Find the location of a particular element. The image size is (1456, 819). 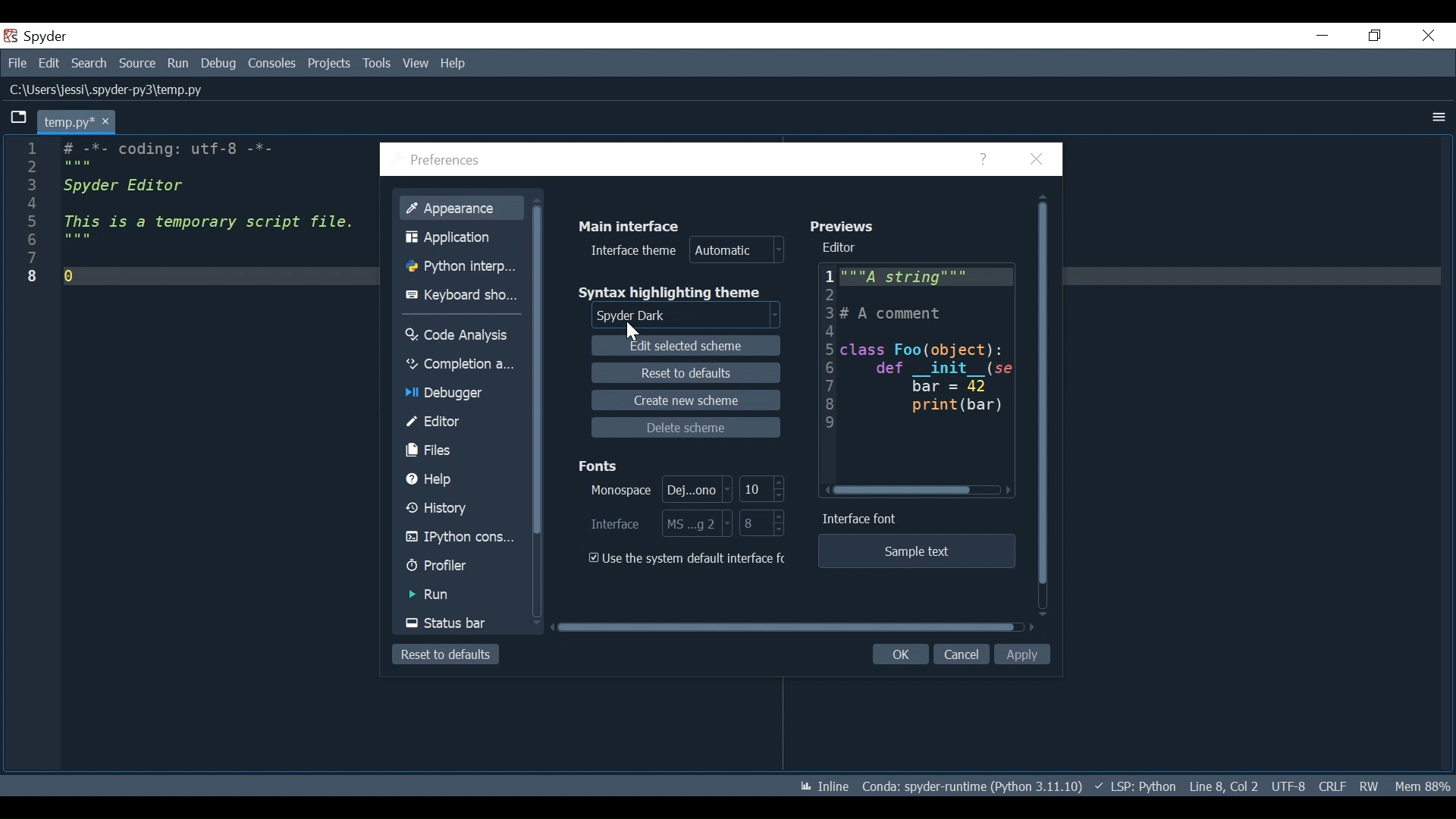

File Path is located at coordinates (115, 88).